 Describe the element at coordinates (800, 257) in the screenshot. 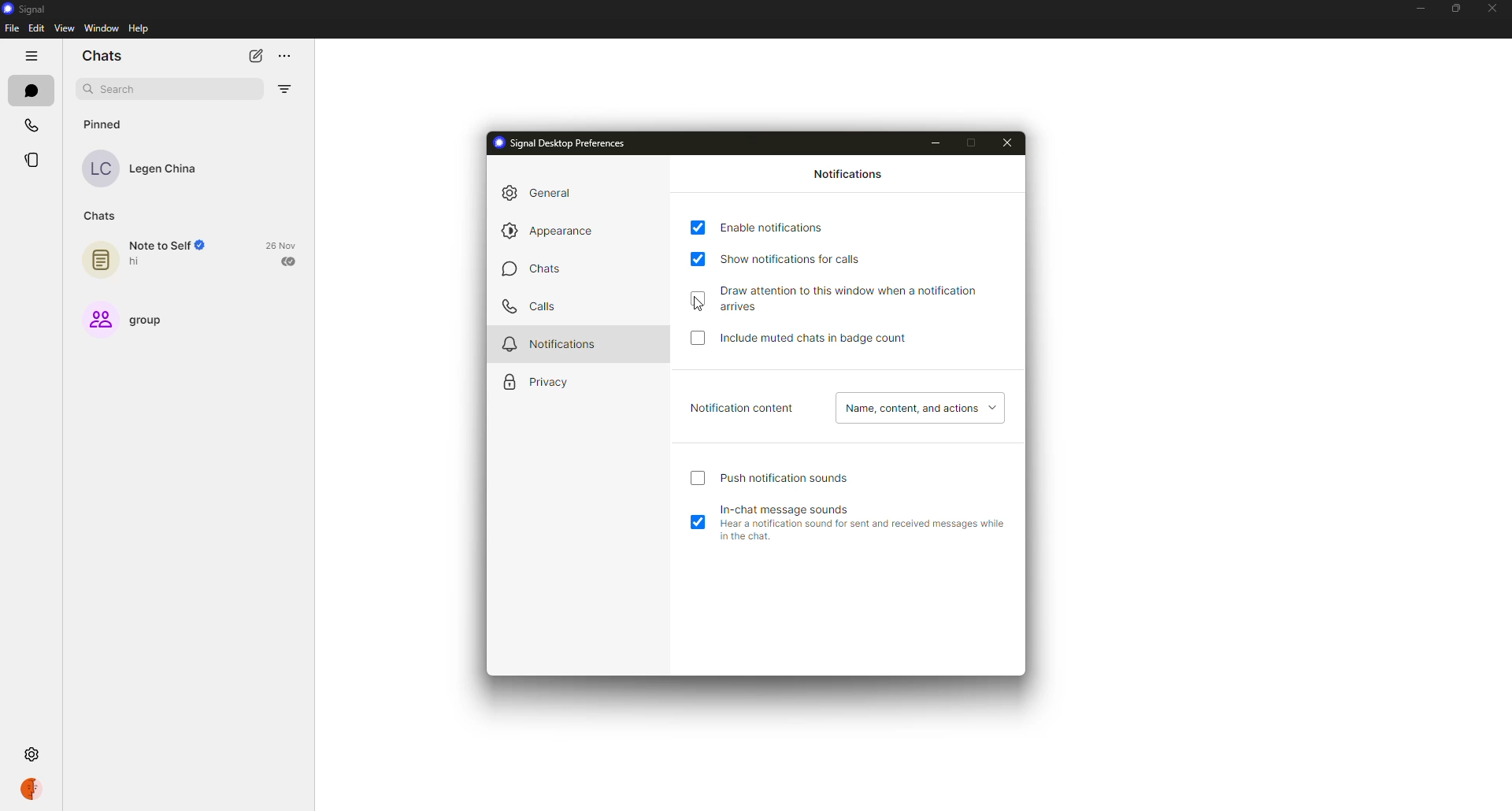

I see `show notifications for calls` at that location.